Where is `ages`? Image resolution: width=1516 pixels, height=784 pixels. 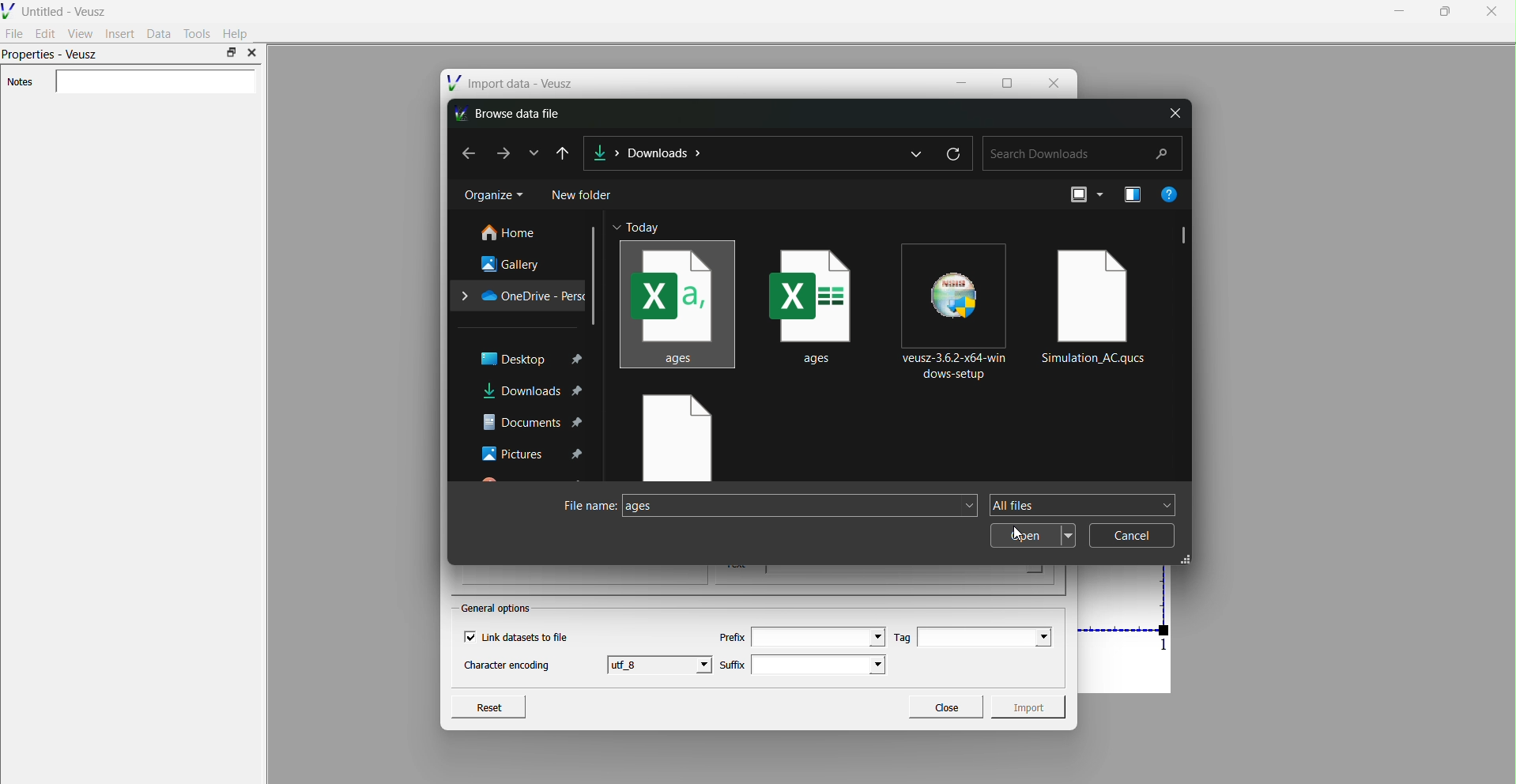
ages is located at coordinates (800, 506).